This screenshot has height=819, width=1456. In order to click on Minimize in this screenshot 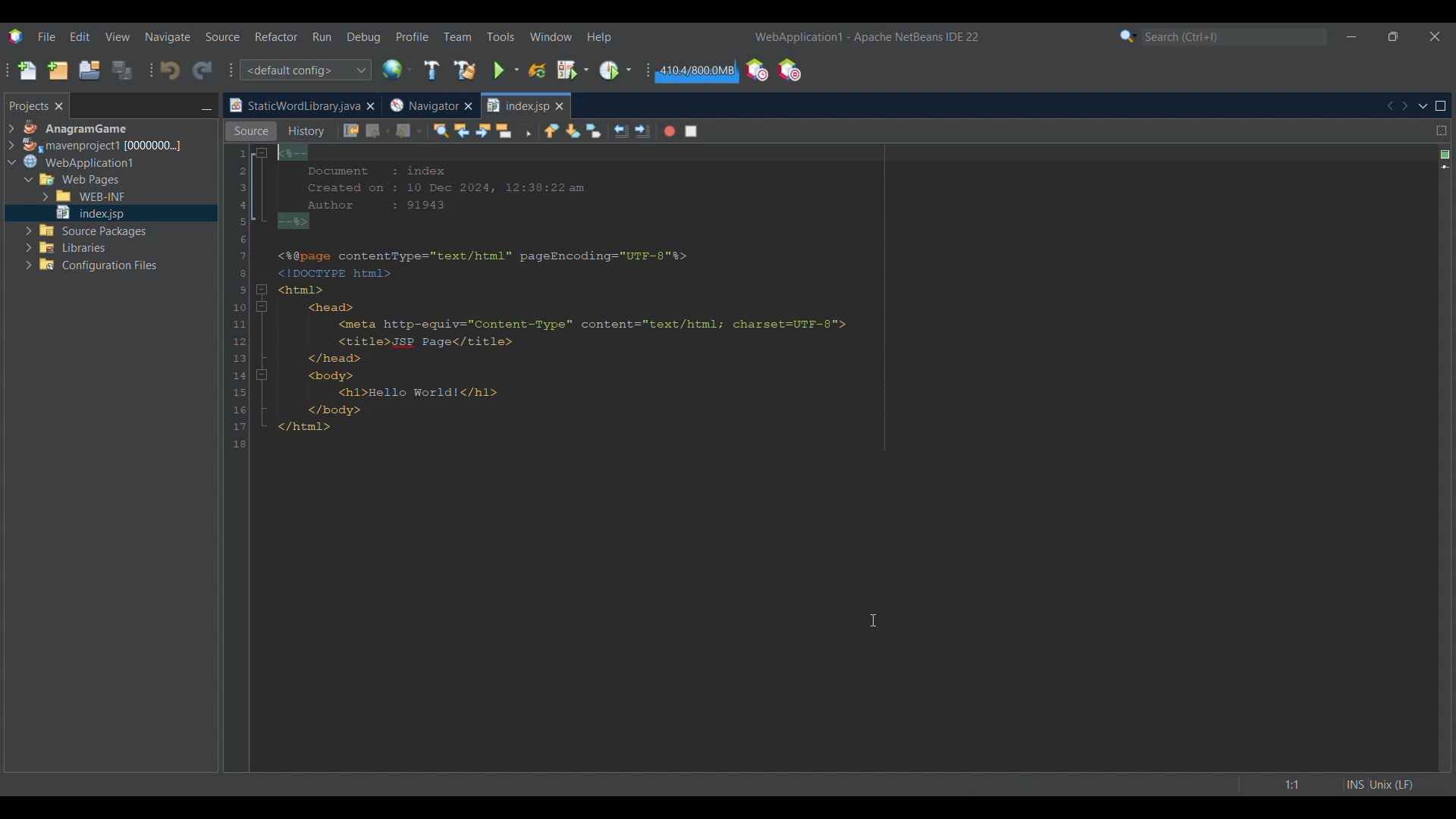, I will do `click(1351, 36)`.